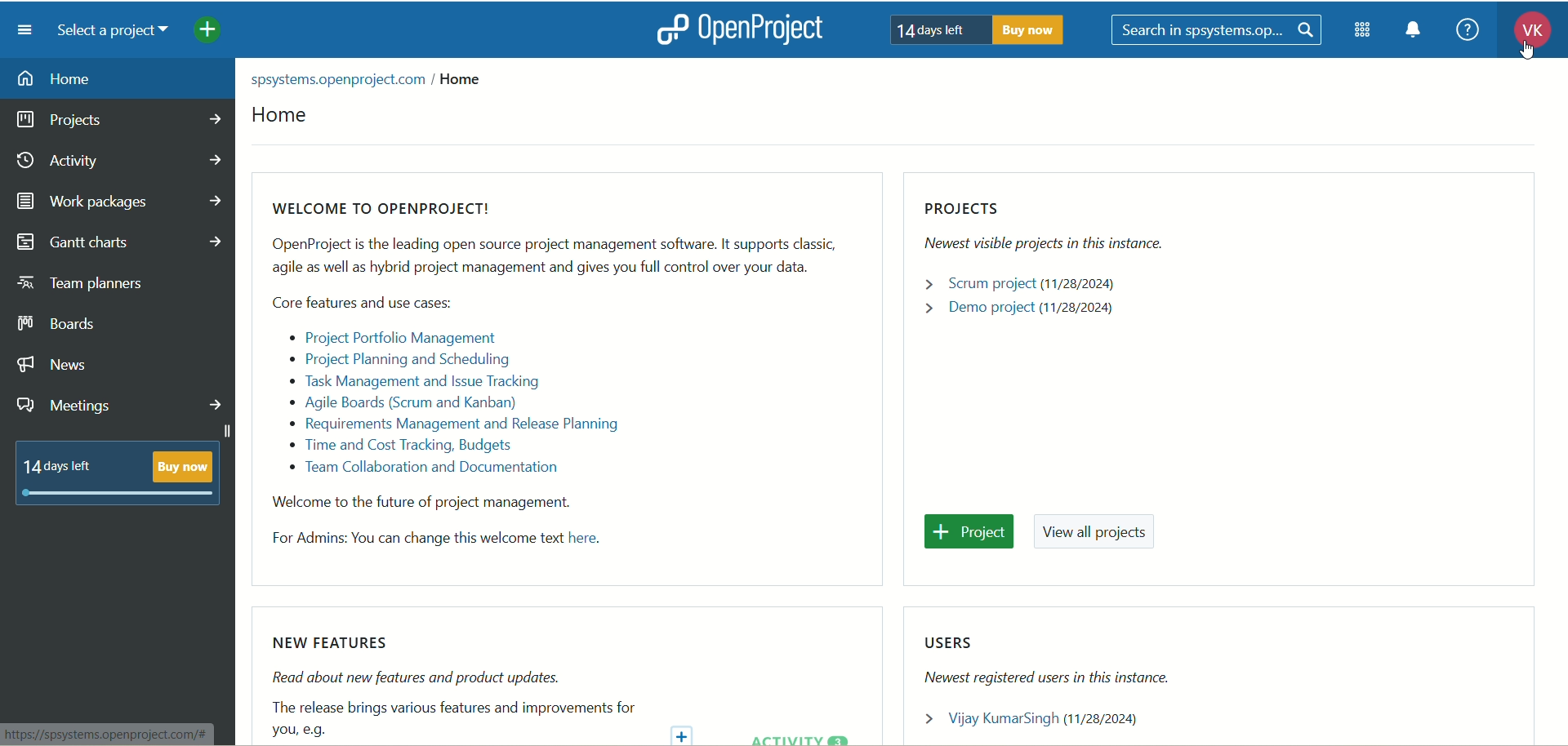 Image resolution: width=1568 pixels, height=746 pixels. What do you see at coordinates (979, 30) in the screenshot?
I see `text` at bounding box center [979, 30].